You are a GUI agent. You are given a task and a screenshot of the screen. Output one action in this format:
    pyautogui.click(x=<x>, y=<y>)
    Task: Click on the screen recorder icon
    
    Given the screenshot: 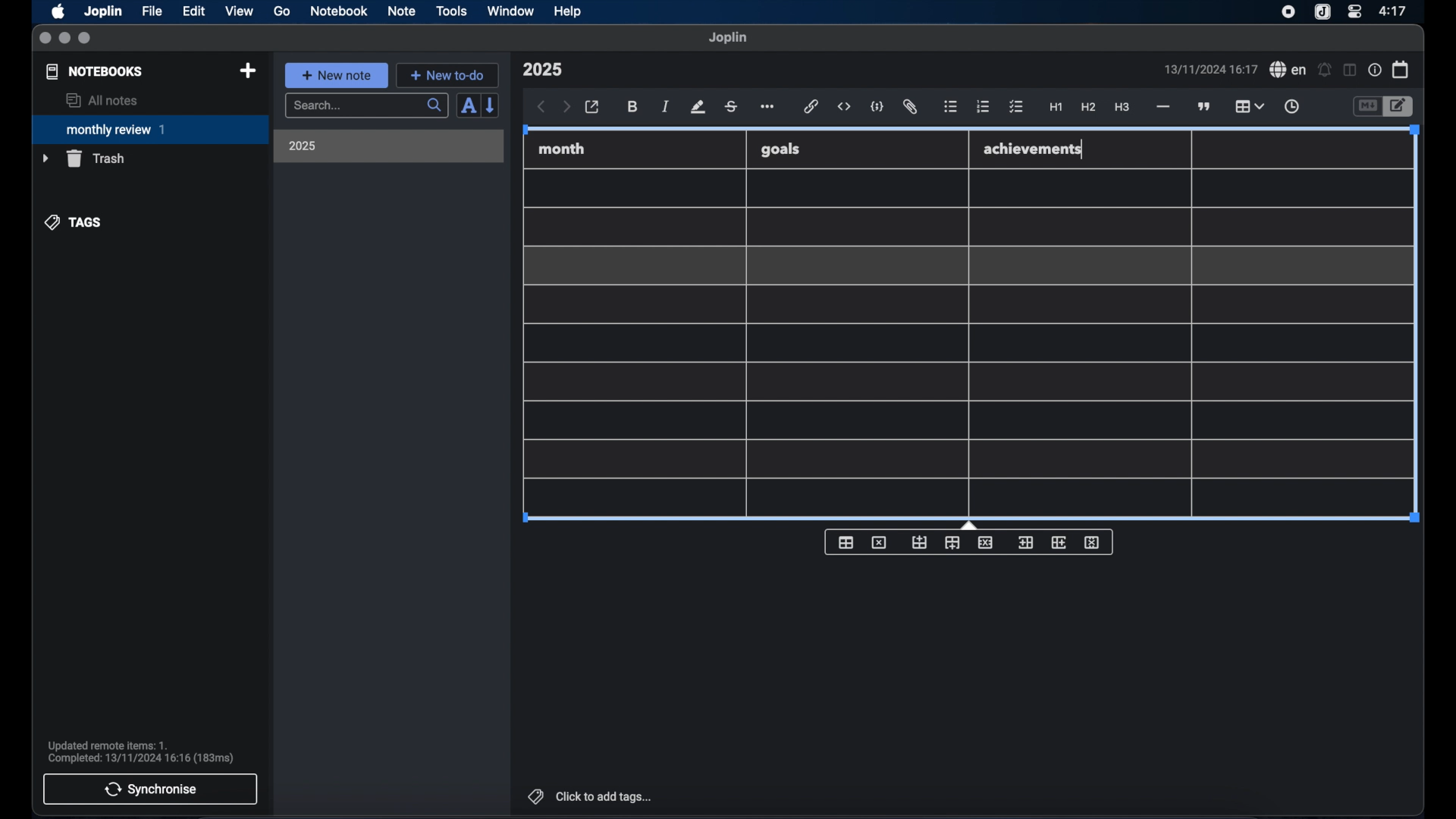 What is the action you would take?
    pyautogui.click(x=1288, y=12)
    